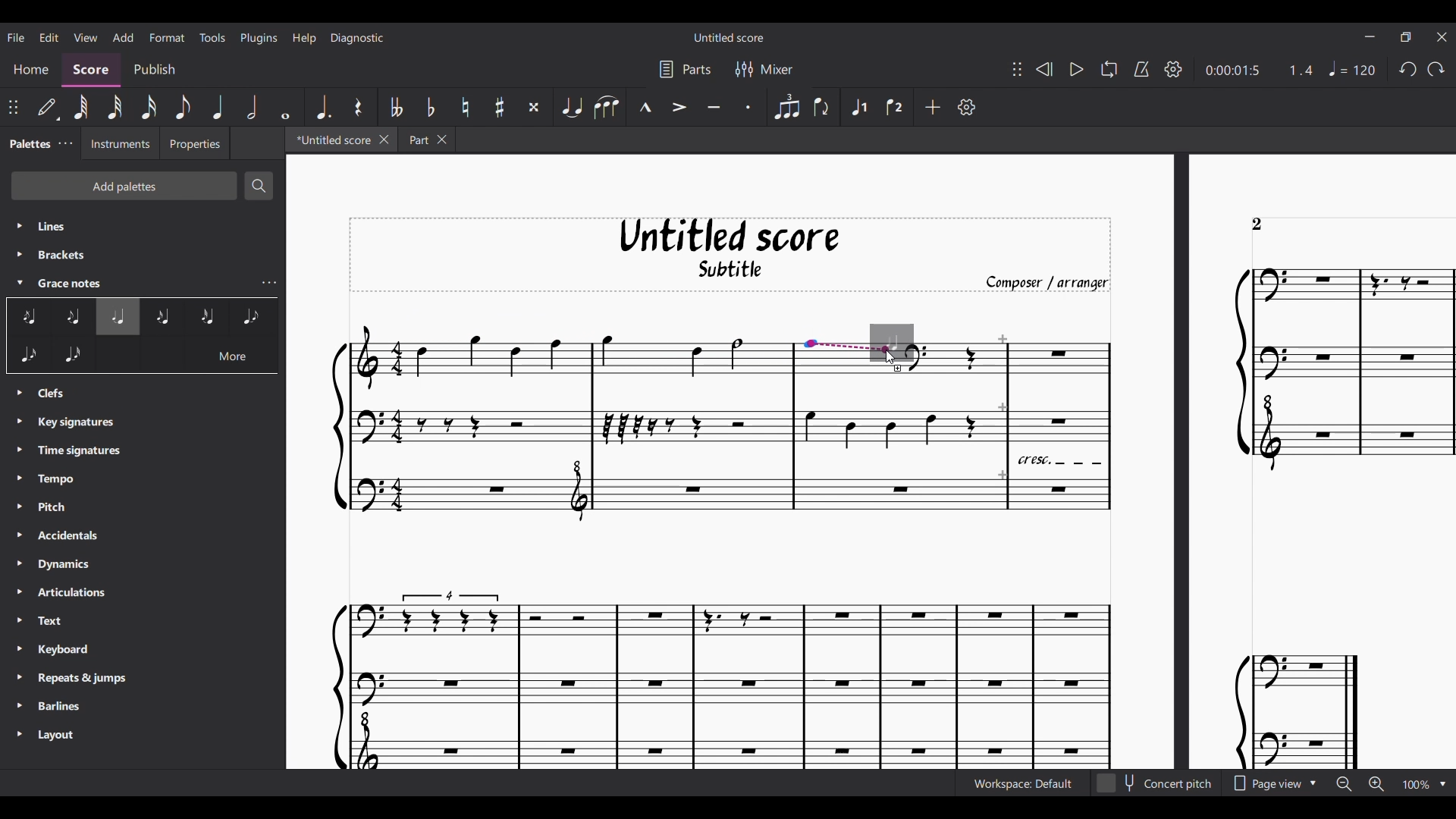 The height and width of the screenshot is (819, 1456). Describe the element at coordinates (1376, 784) in the screenshot. I see `Zoom in` at that location.